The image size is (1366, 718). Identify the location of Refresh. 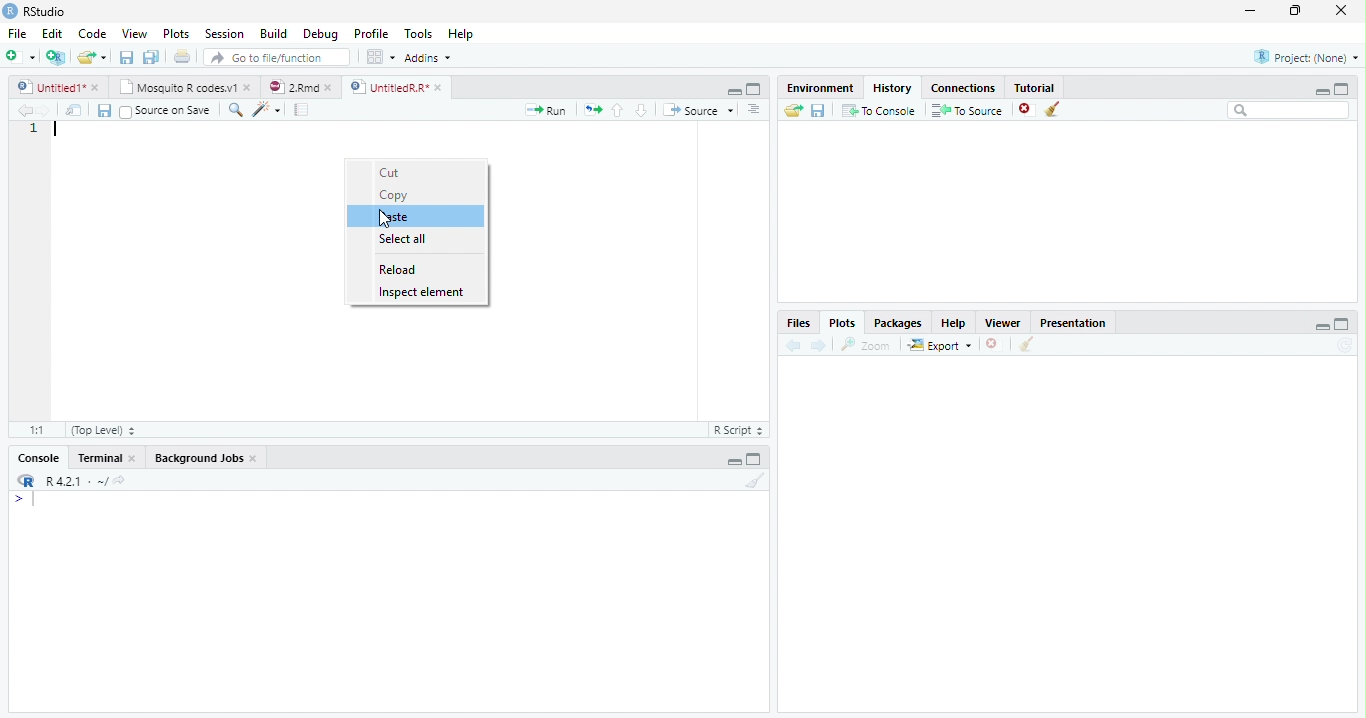
(1345, 346).